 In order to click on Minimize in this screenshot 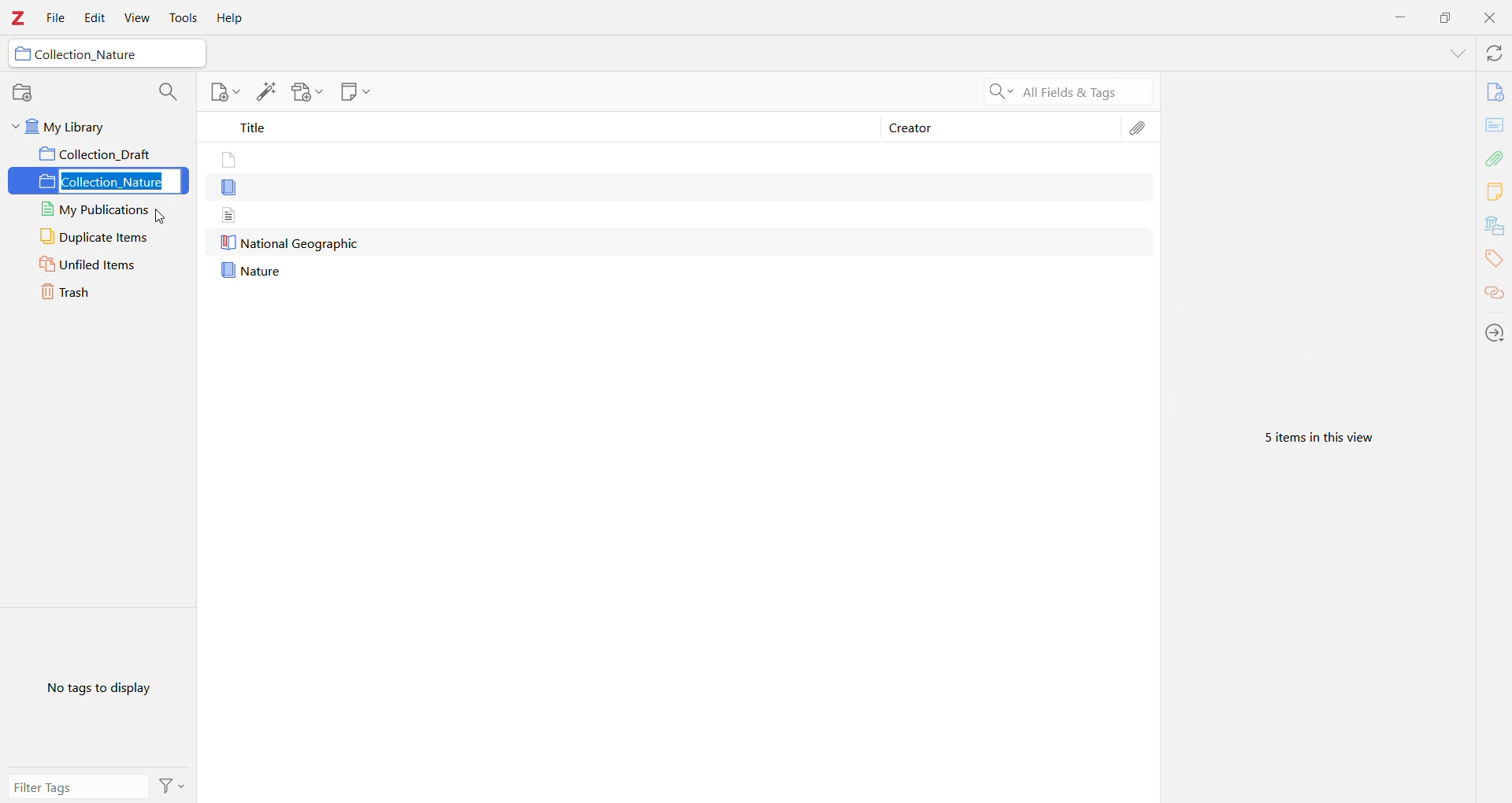, I will do `click(1402, 17)`.